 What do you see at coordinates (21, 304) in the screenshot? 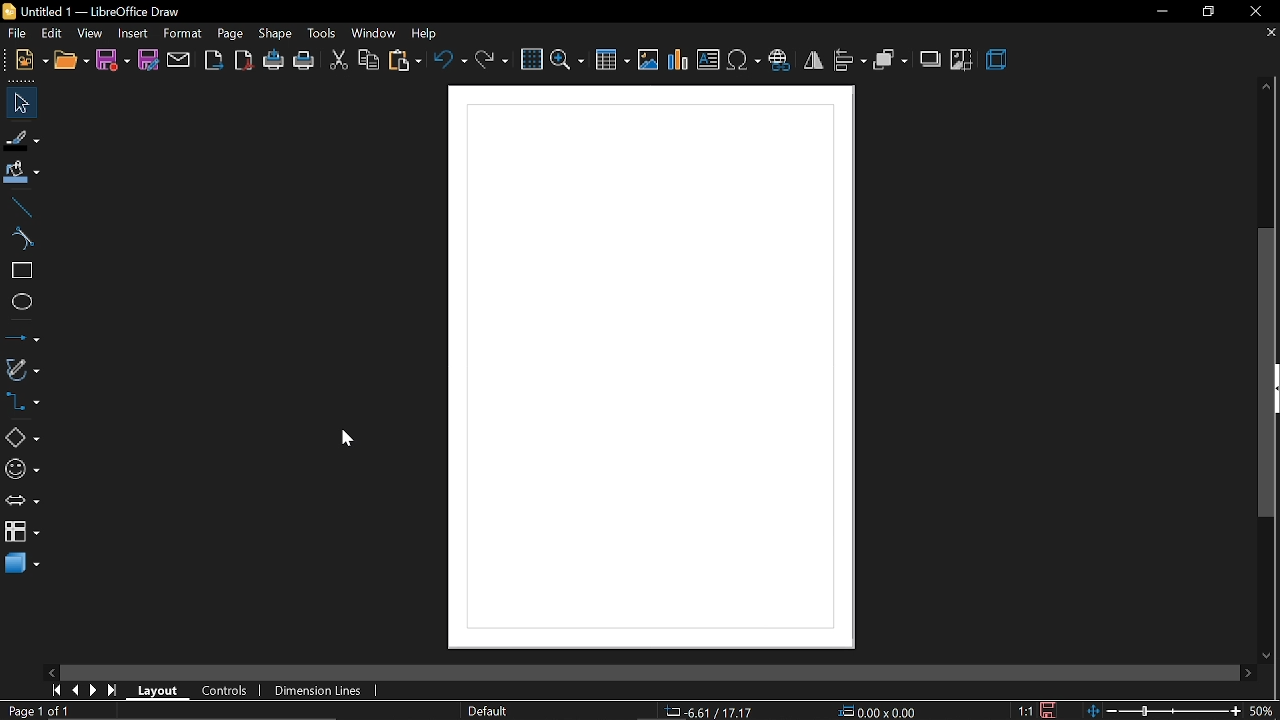
I see `ellipse` at bounding box center [21, 304].